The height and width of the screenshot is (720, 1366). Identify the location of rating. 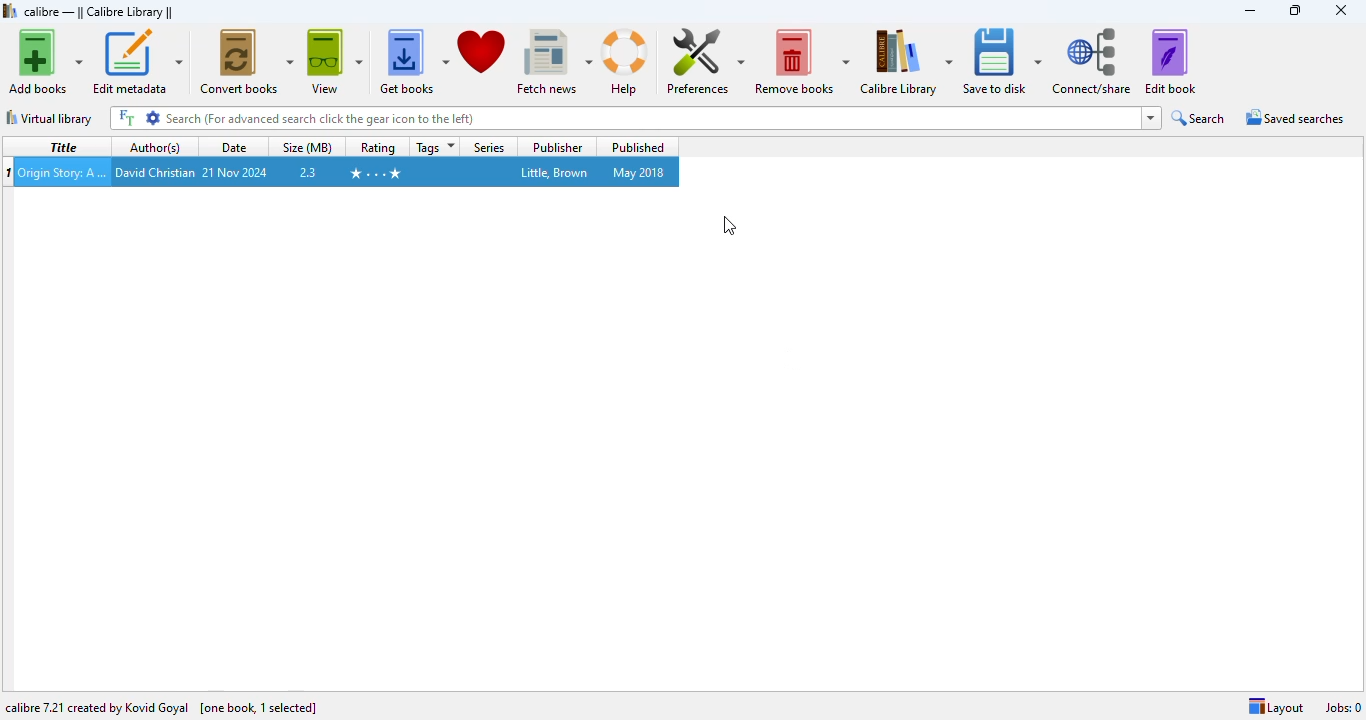
(377, 148).